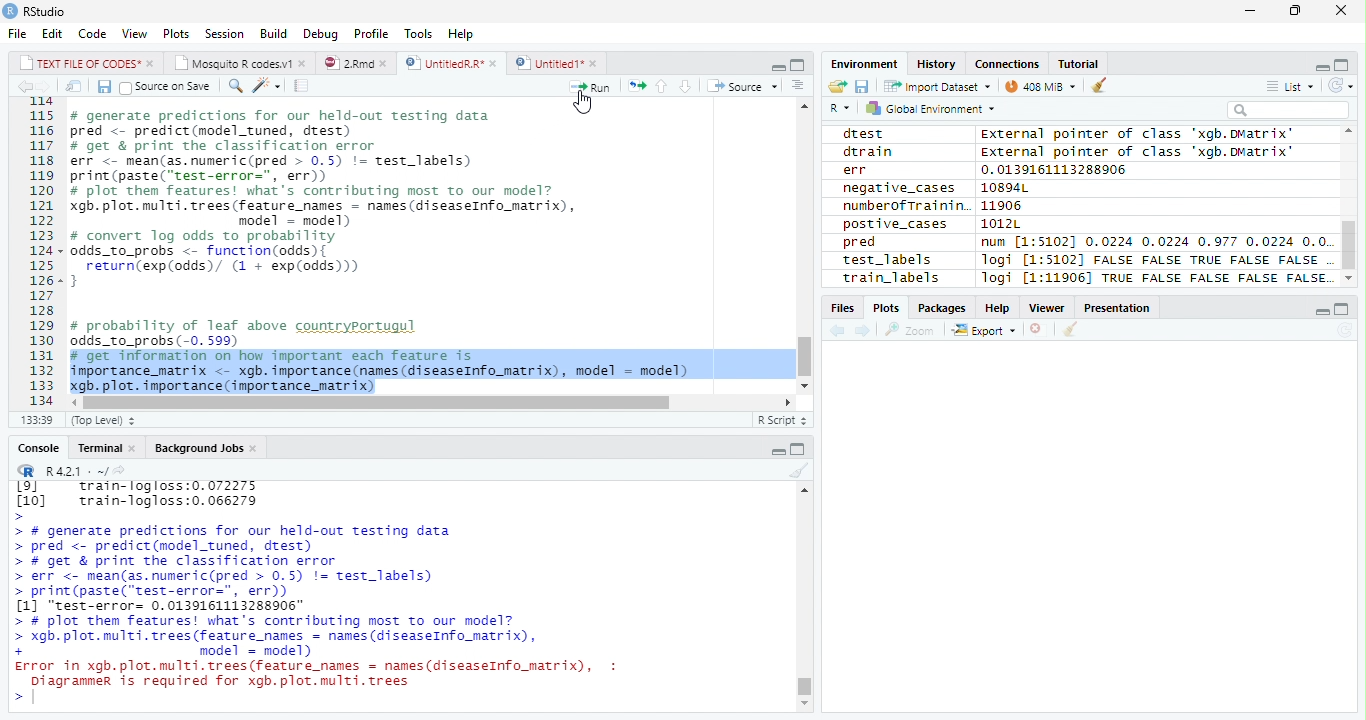  I want to click on Help, so click(463, 36).